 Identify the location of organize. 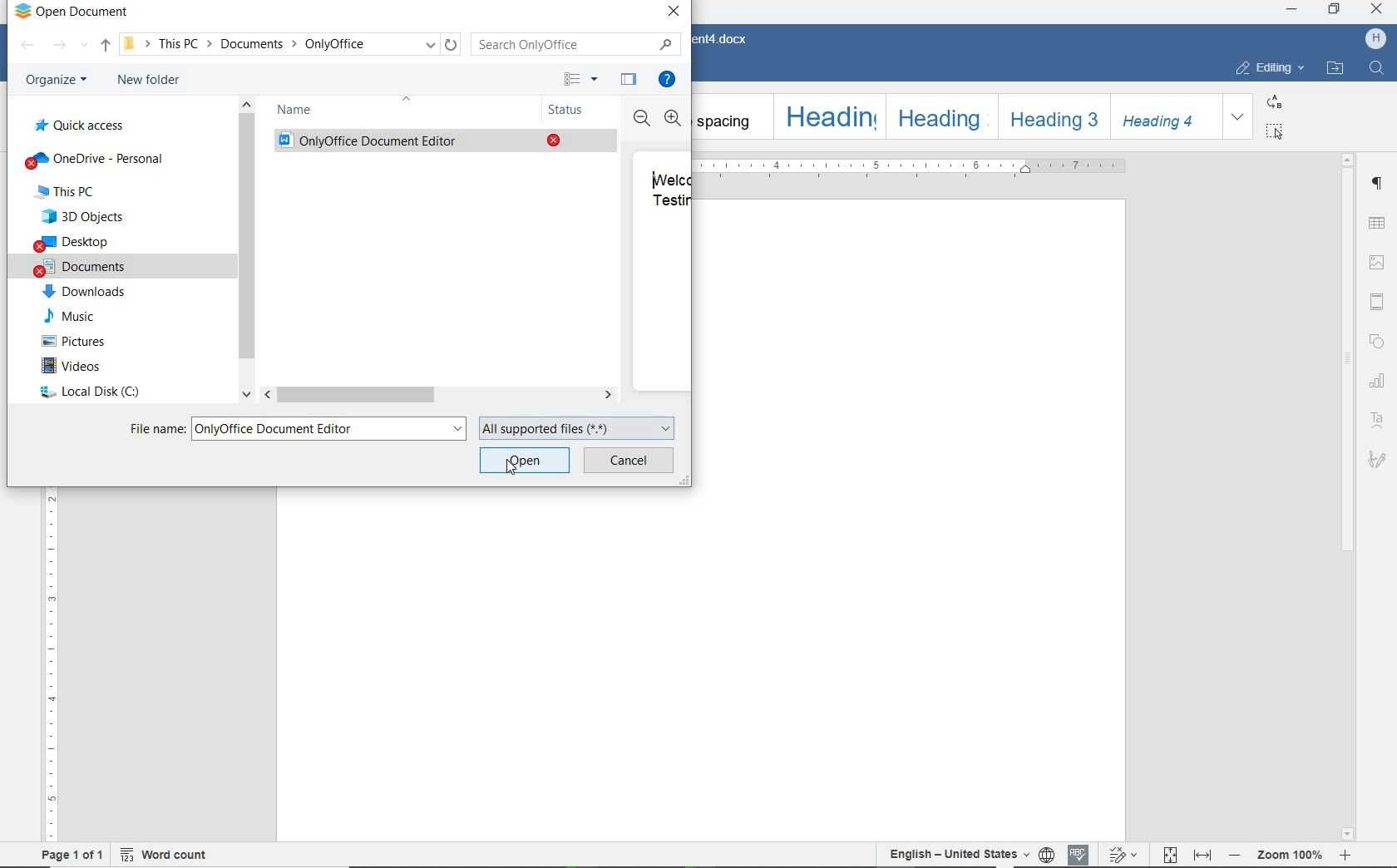
(58, 81).